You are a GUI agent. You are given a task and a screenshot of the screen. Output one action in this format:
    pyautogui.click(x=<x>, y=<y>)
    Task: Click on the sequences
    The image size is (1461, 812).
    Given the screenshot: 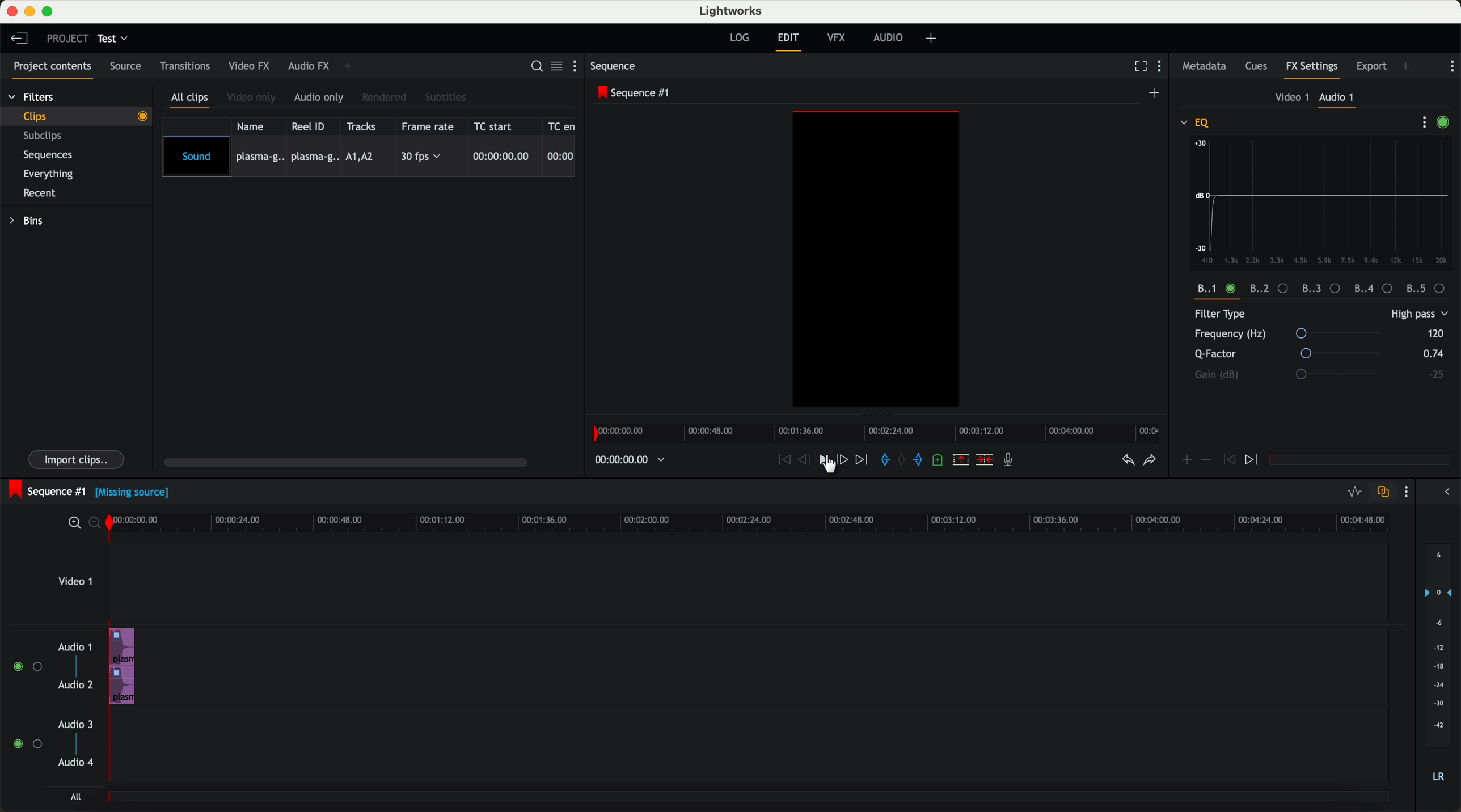 What is the action you would take?
    pyautogui.click(x=52, y=157)
    